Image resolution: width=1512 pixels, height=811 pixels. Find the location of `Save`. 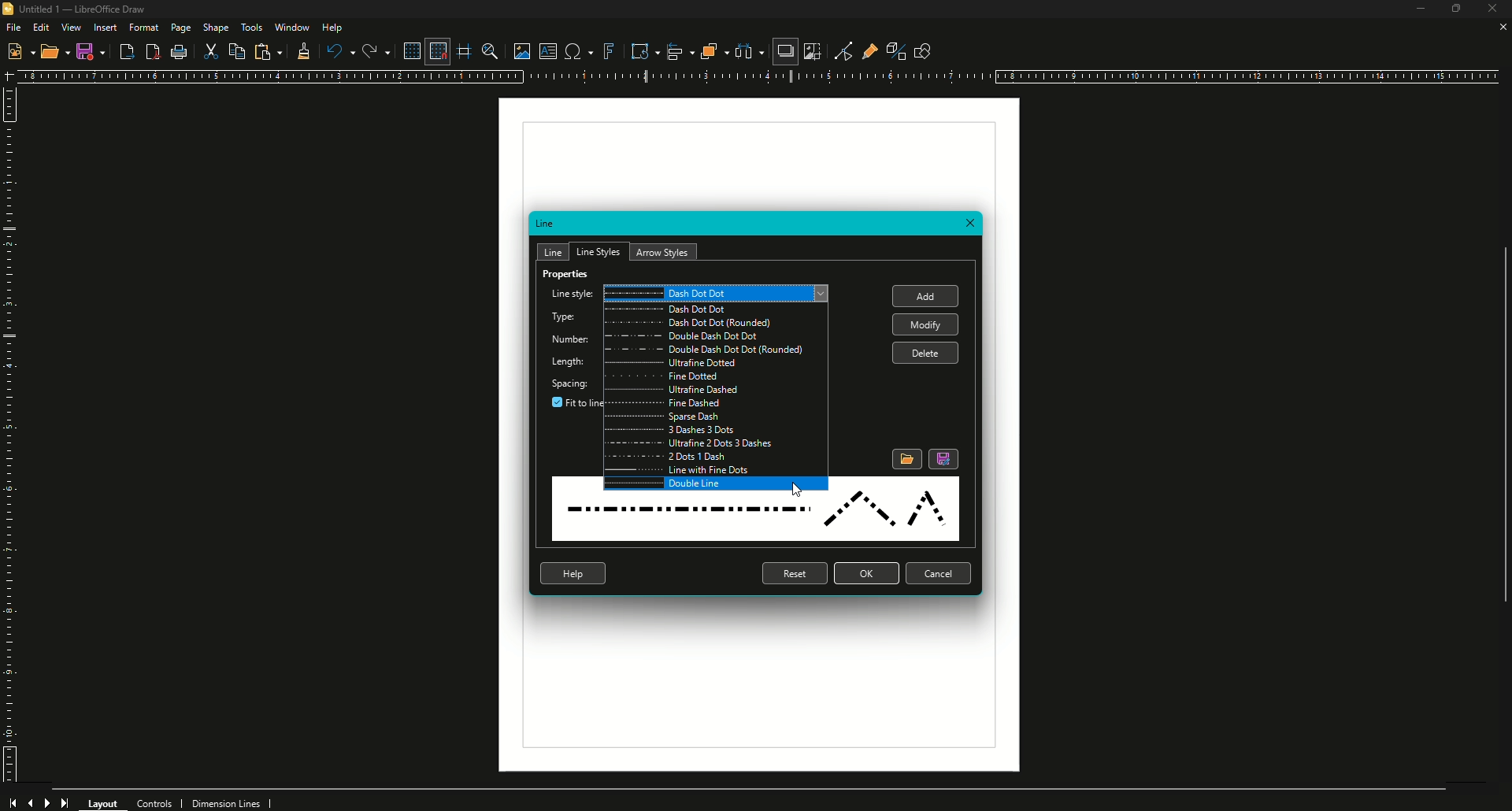

Save is located at coordinates (91, 51).